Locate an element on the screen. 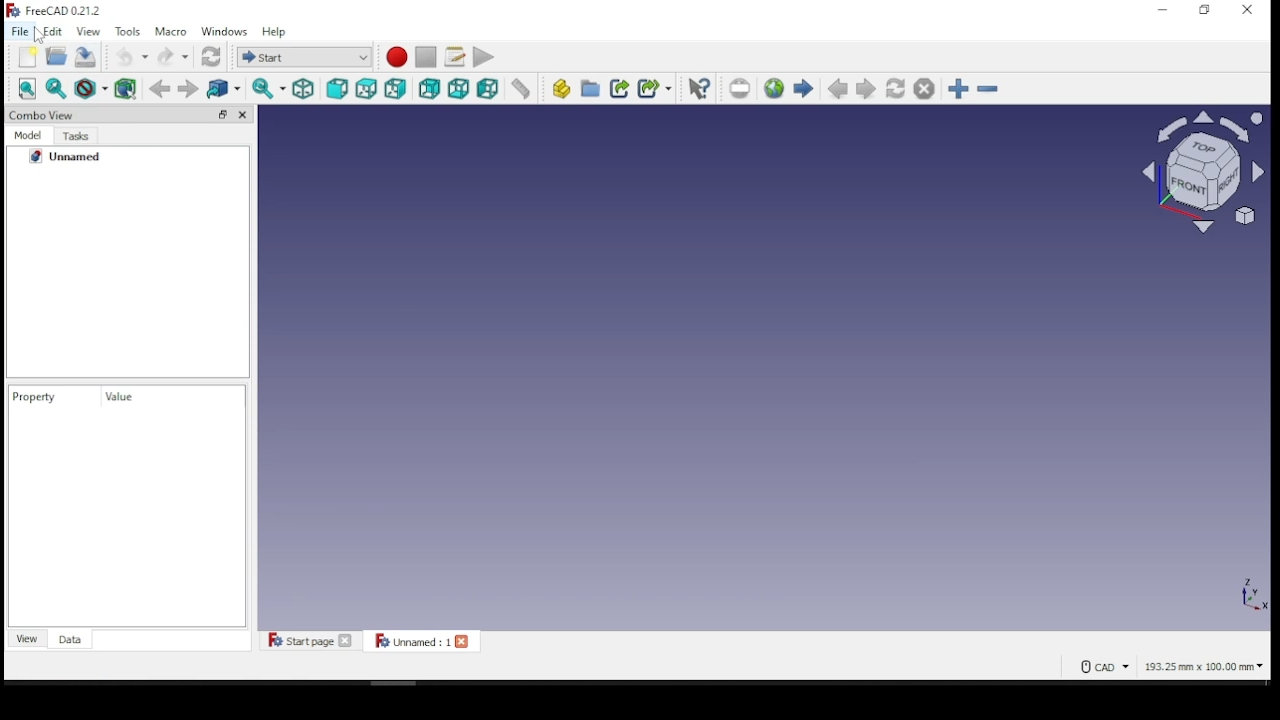 Image resolution: width=1280 pixels, height=720 pixels. bottom is located at coordinates (459, 87).